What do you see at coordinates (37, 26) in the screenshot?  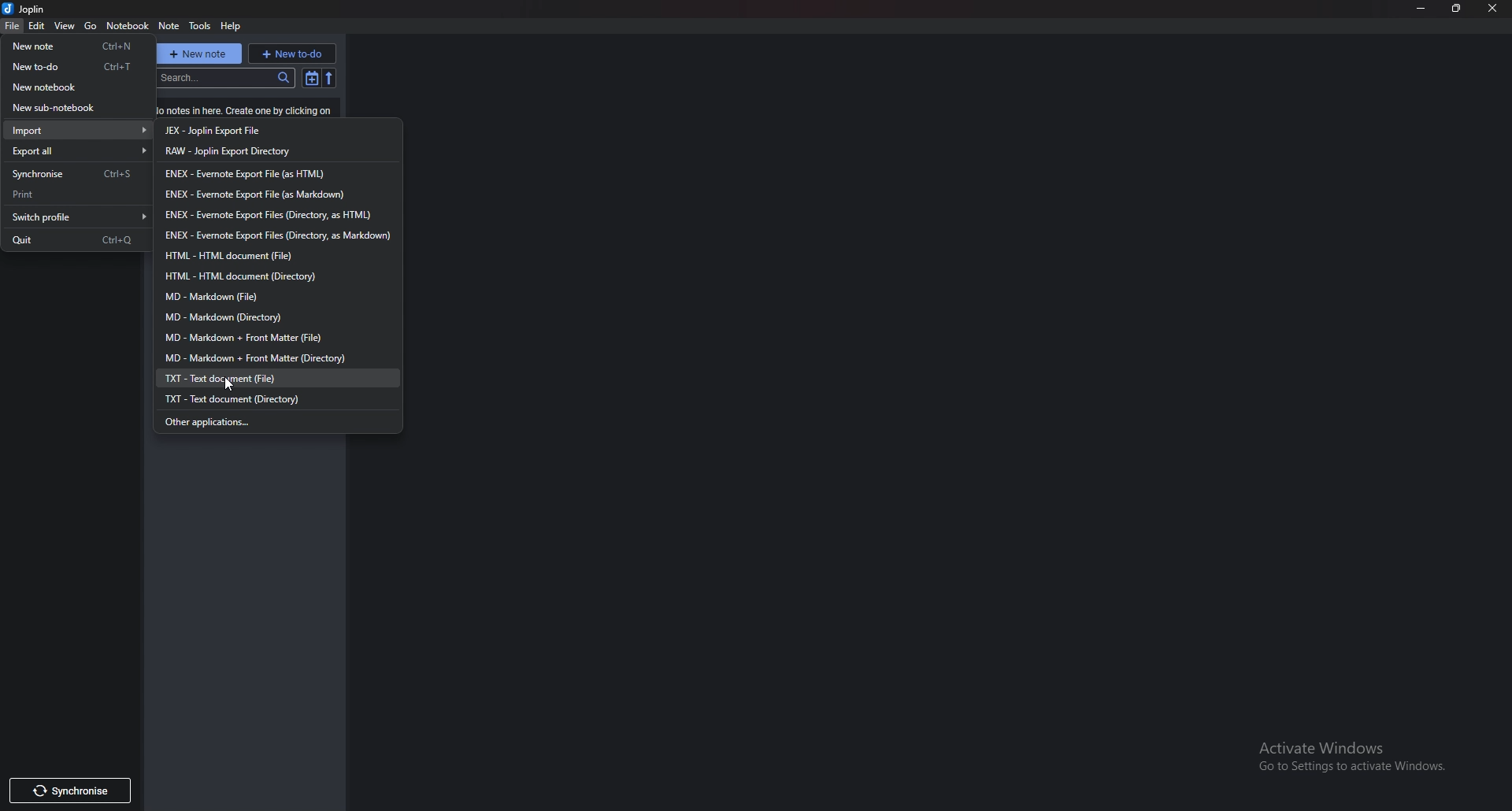 I see `Edit` at bounding box center [37, 26].